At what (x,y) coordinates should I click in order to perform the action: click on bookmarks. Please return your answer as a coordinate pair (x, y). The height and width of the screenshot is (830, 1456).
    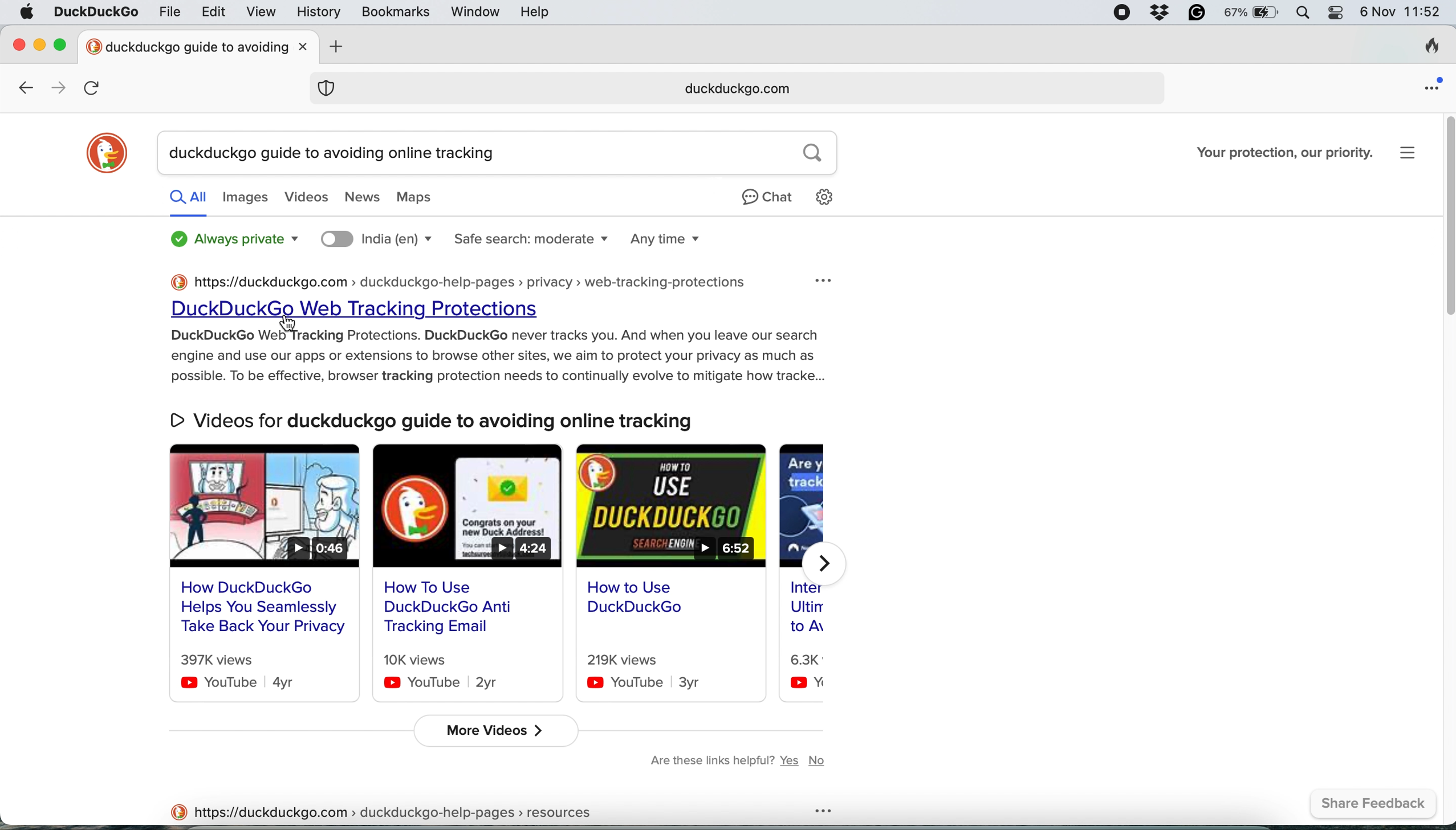
    Looking at the image, I should click on (393, 12).